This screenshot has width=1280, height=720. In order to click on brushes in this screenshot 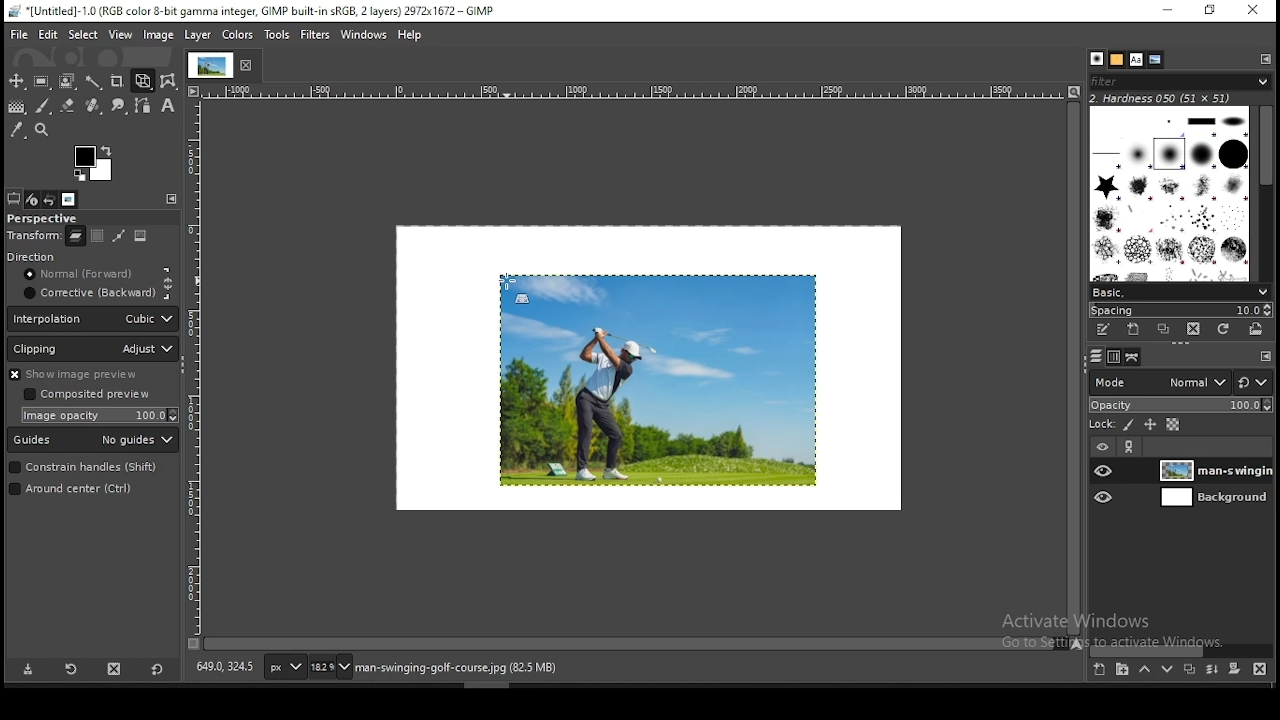, I will do `click(1170, 194)`.